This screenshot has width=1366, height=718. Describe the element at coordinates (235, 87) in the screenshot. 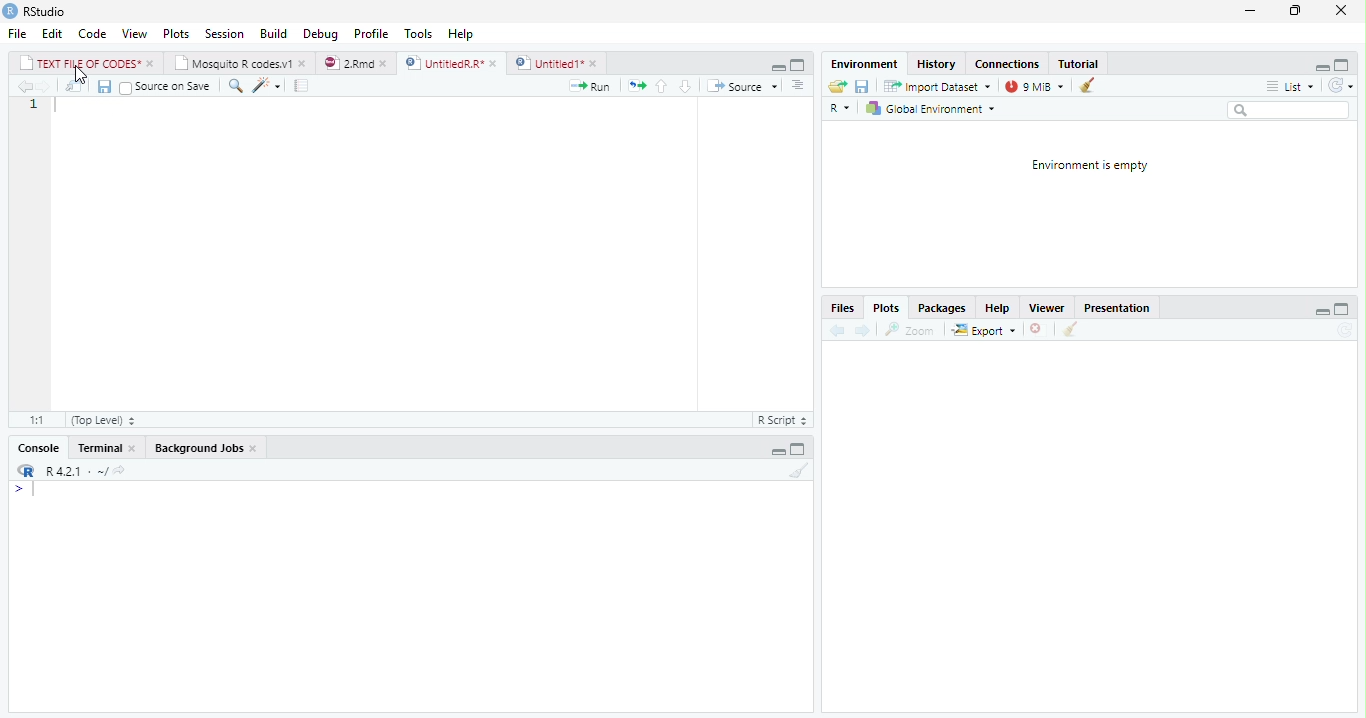

I see `find/replace` at that location.